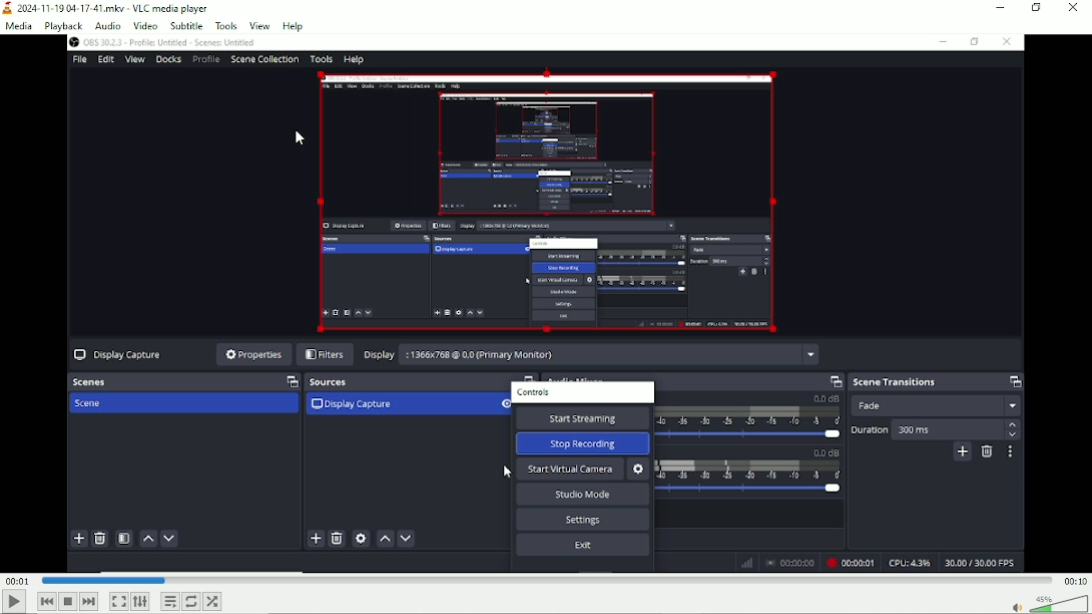 Image resolution: width=1092 pixels, height=614 pixels. What do you see at coordinates (214, 601) in the screenshot?
I see `random` at bounding box center [214, 601].